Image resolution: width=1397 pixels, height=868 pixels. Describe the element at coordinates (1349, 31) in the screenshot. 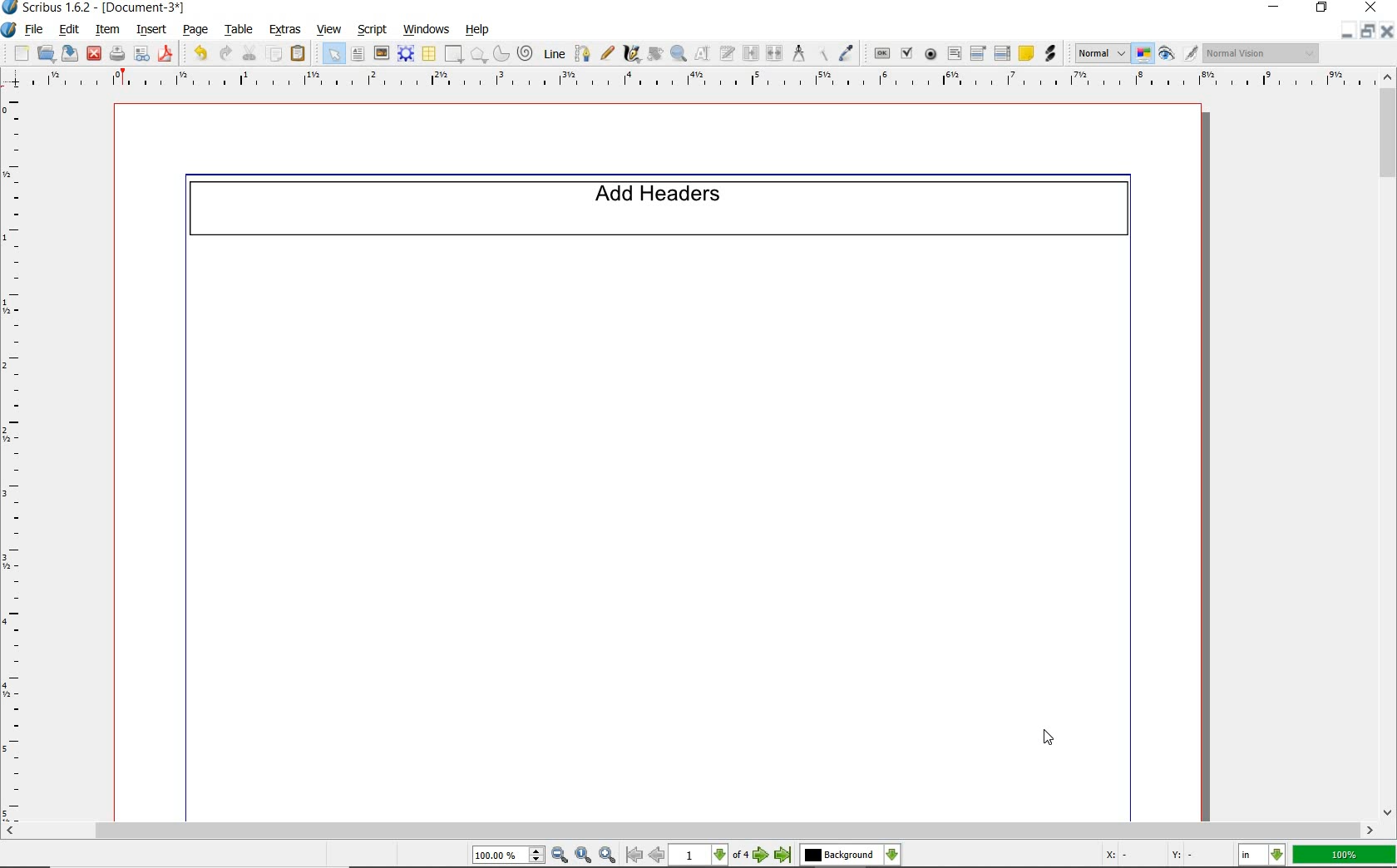

I see `minimize` at that location.